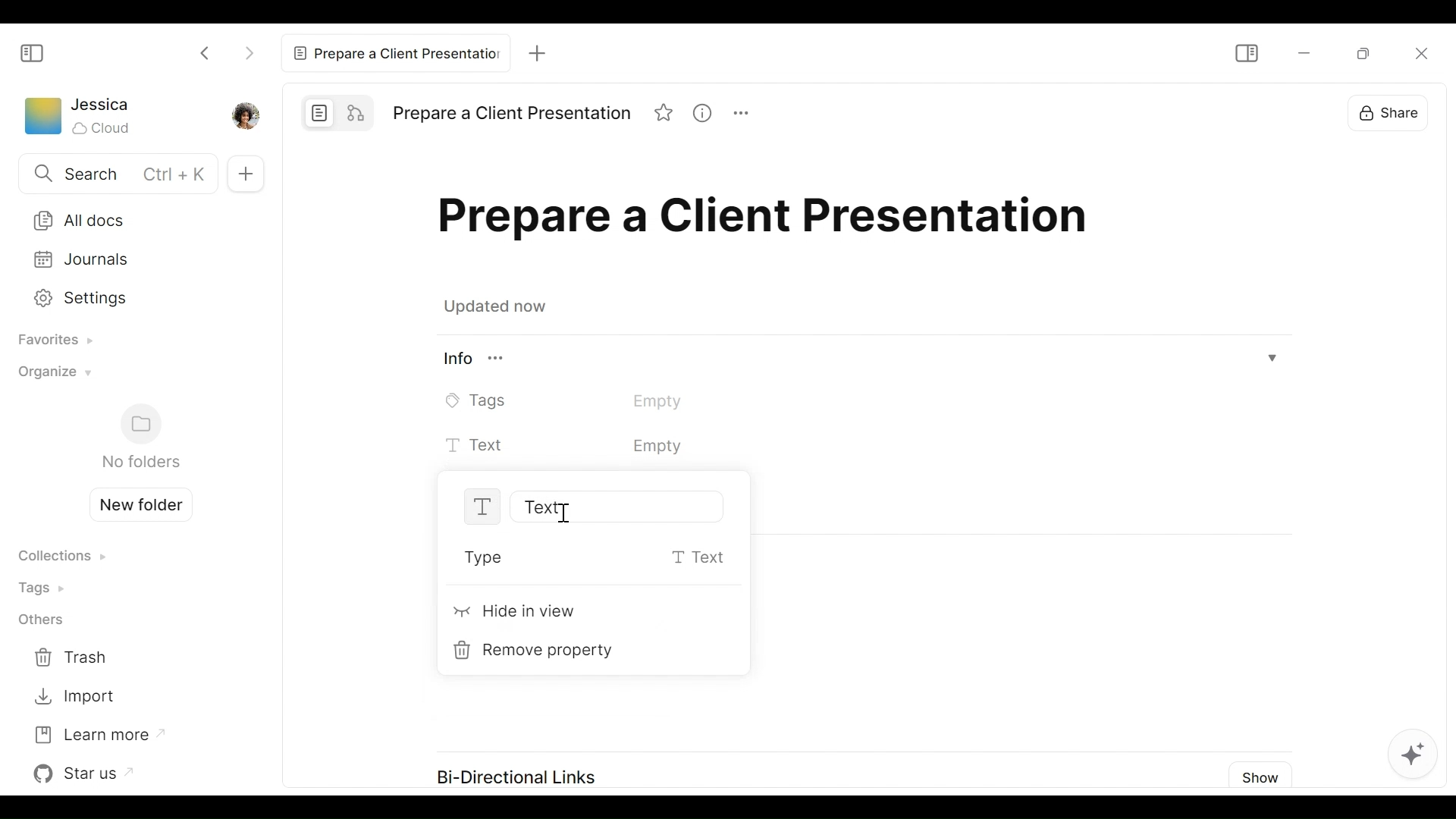 The image size is (1456, 819). Describe the element at coordinates (98, 733) in the screenshot. I see `Learn more` at that location.